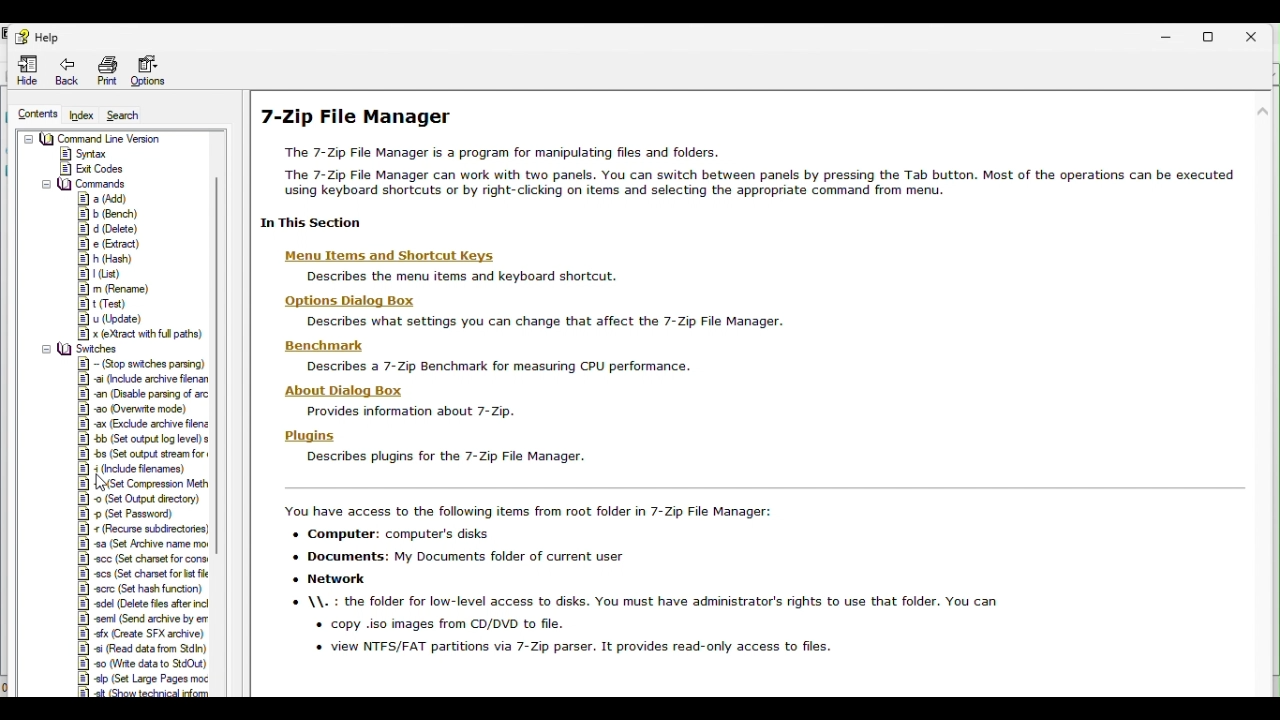  What do you see at coordinates (144, 558) in the screenshot?
I see `Set character set` at bounding box center [144, 558].